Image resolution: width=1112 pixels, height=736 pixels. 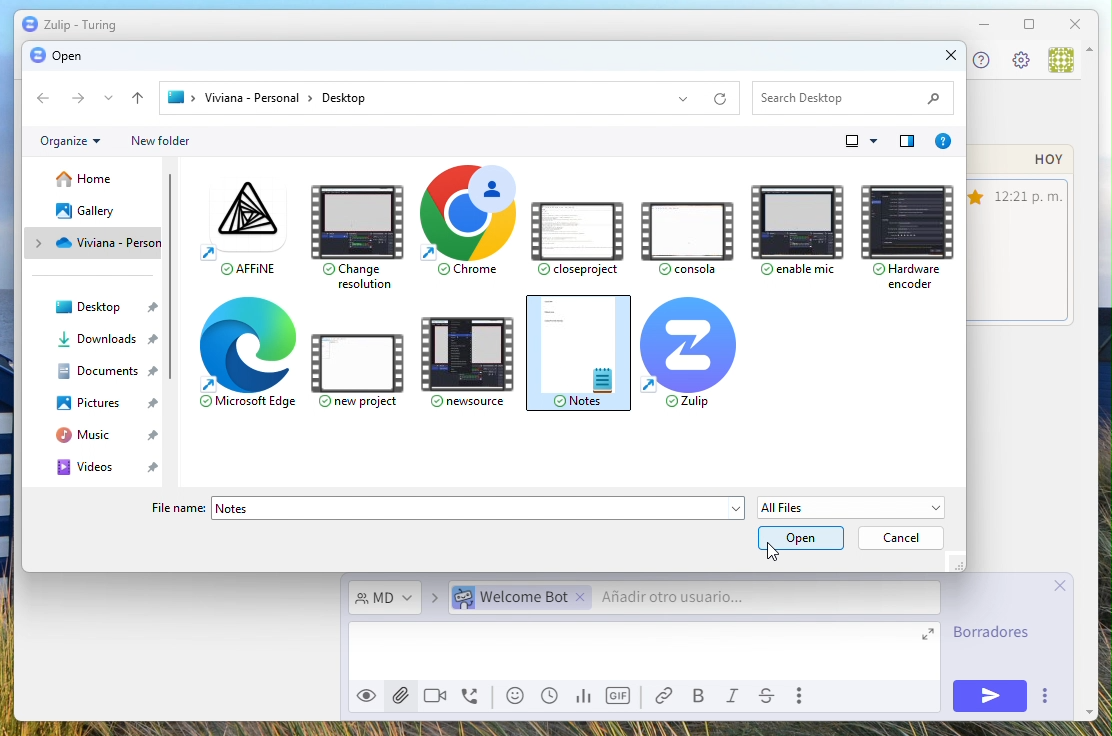 I want to click on Zulip, so click(x=69, y=25).